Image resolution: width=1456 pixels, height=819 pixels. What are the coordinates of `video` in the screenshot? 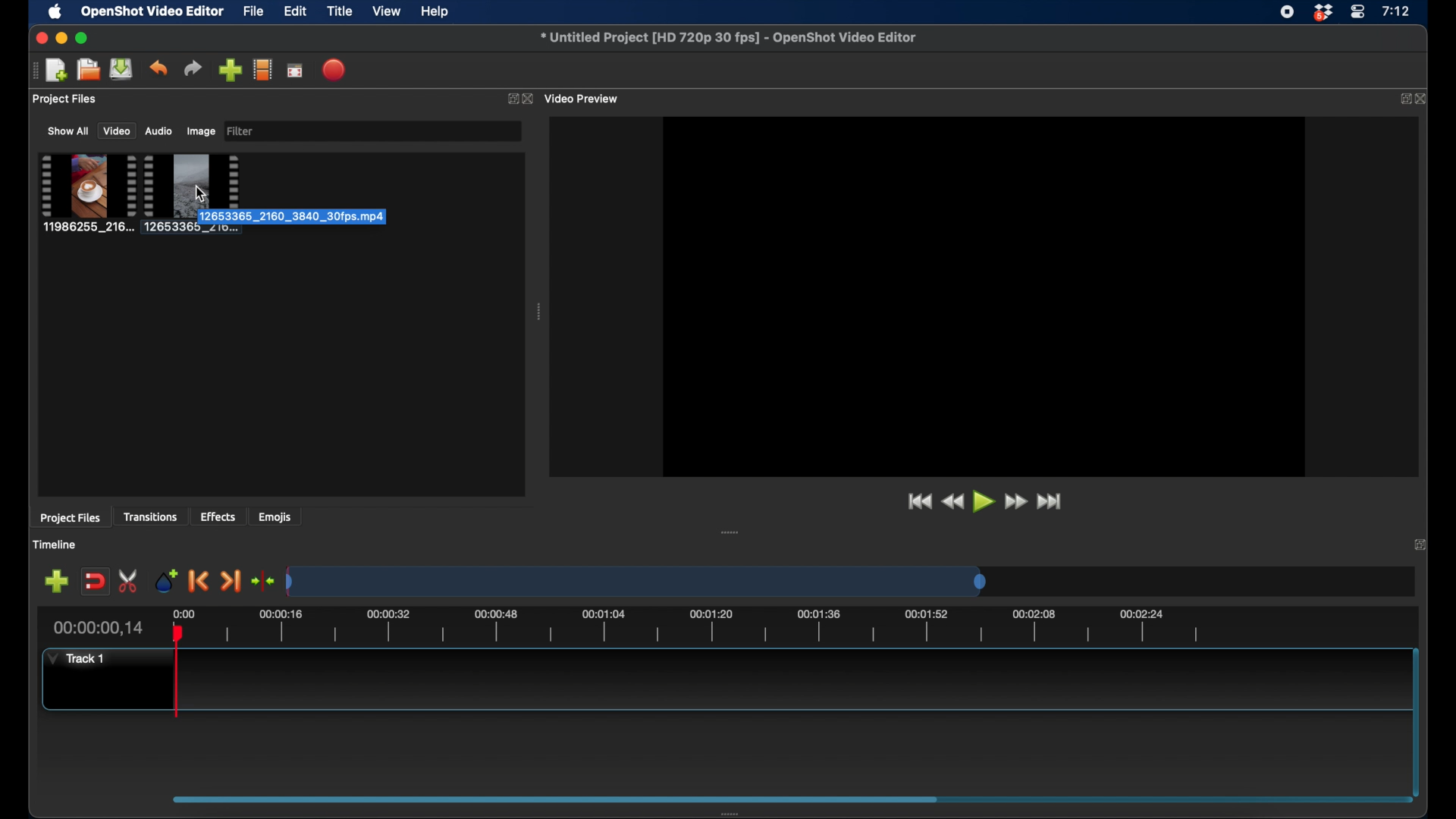 It's located at (115, 131).